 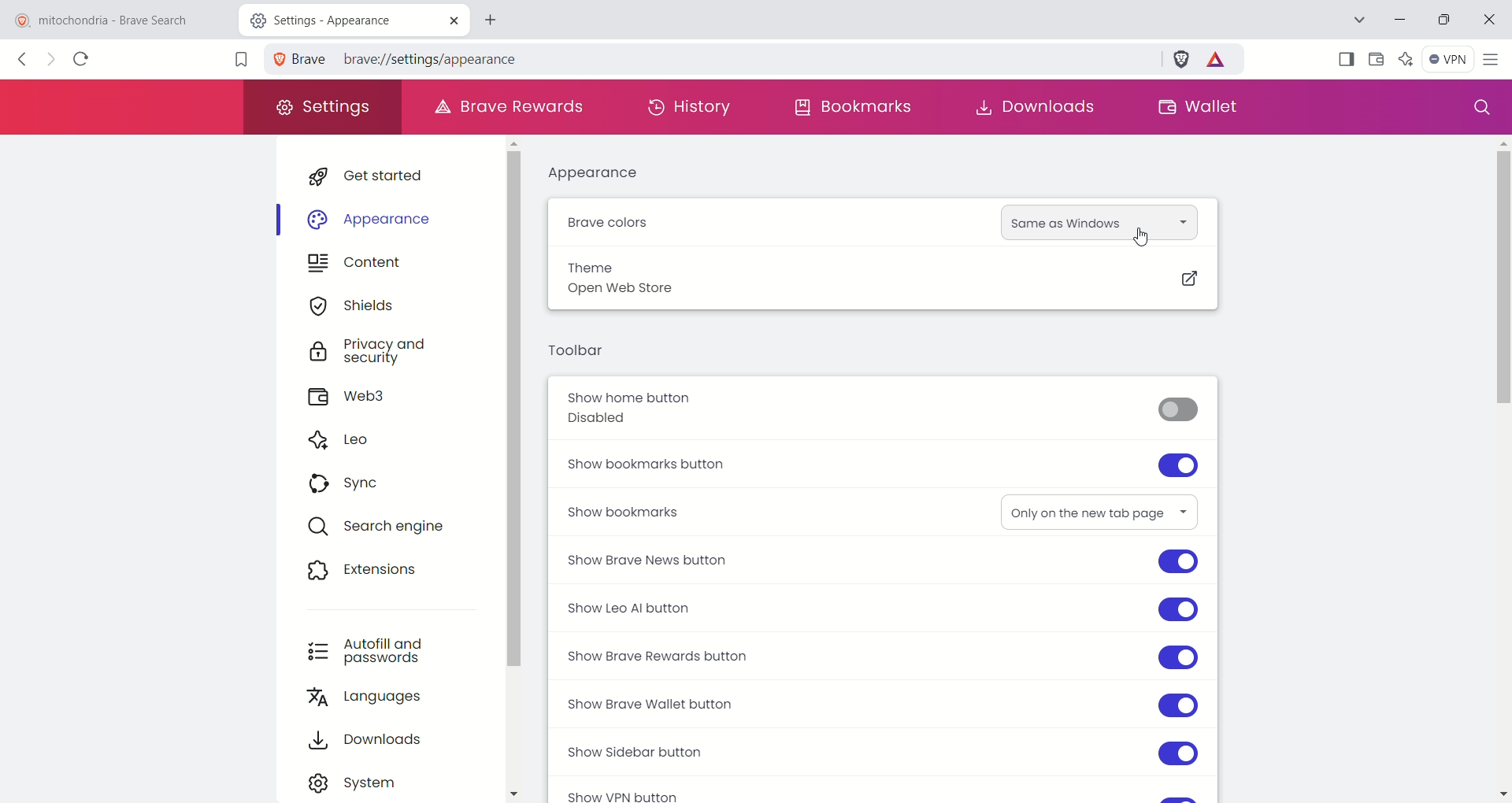 What do you see at coordinates (301, 19) in the screenshot?
I see `Settings` at bounding box center [301, 19].